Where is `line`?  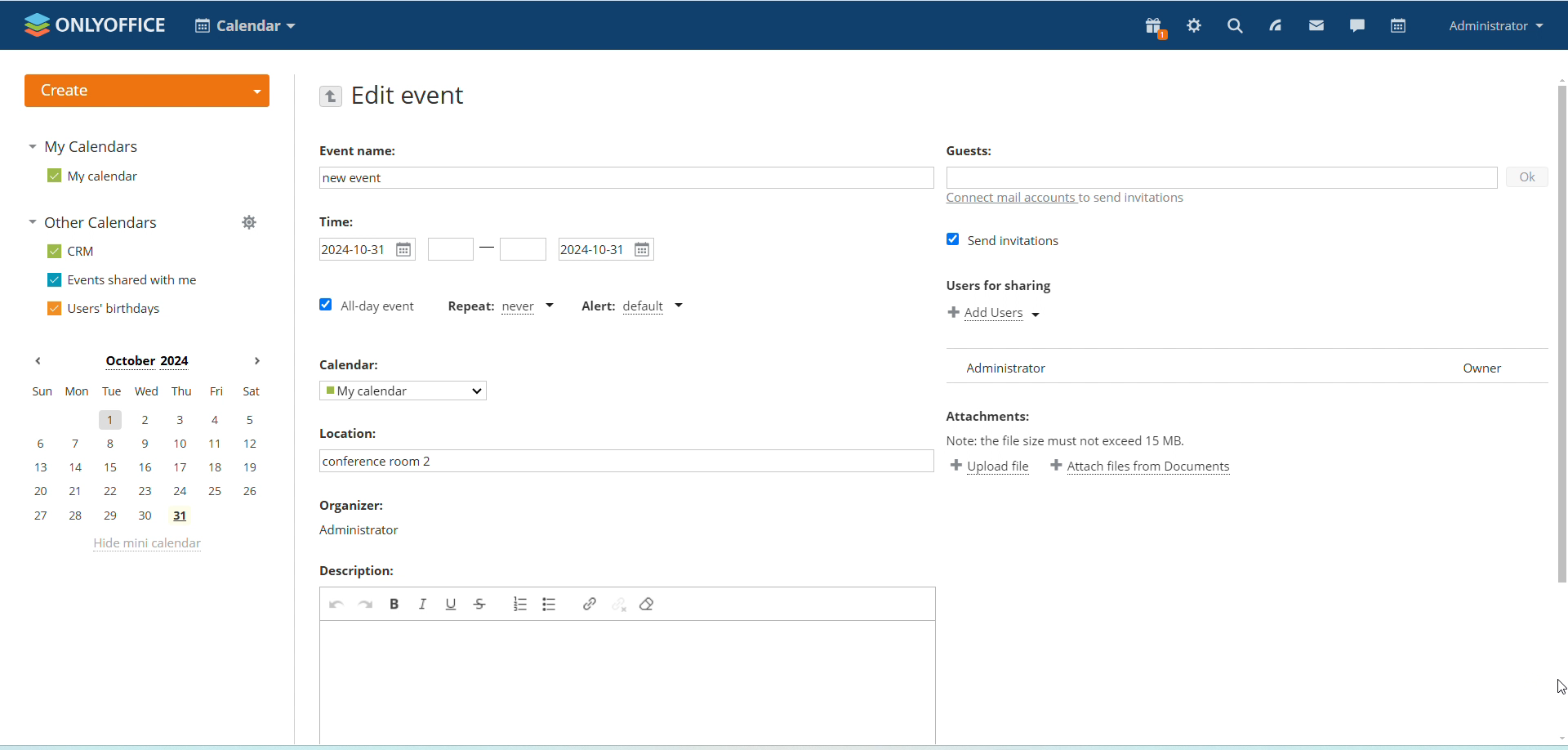
line is located at coordinates (486, 248).